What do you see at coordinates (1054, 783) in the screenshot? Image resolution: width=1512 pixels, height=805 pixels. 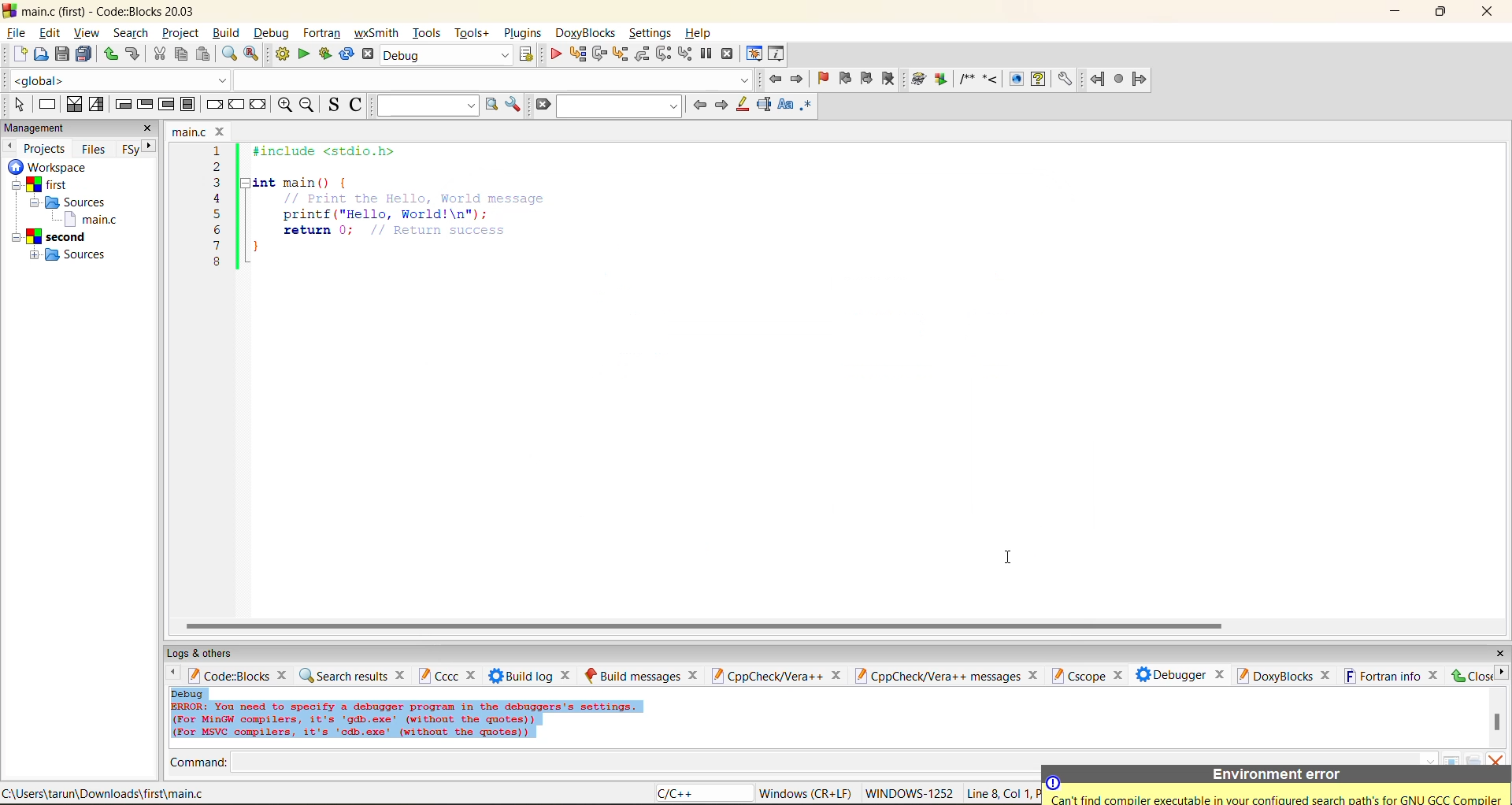 I see `caution` at bounding box center [1054, 783].